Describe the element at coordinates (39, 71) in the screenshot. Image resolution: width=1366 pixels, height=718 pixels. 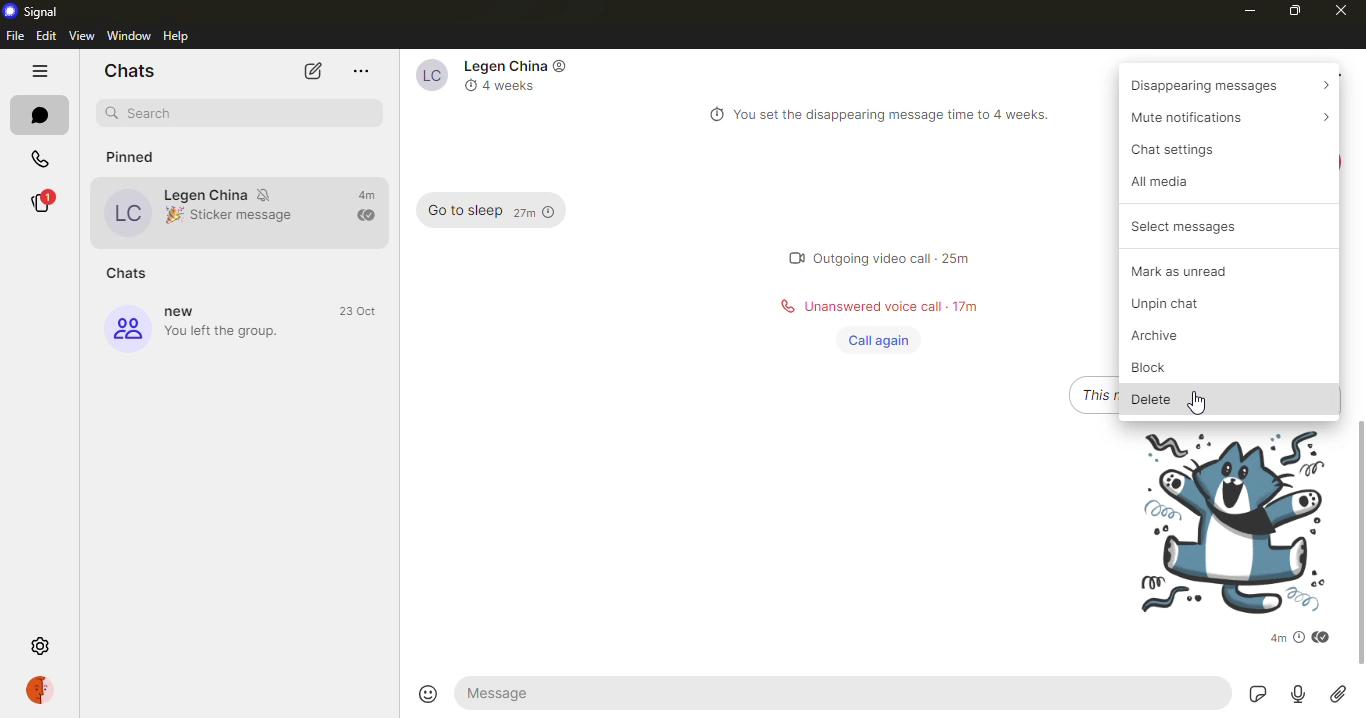
I see `hide tabs` at that location.